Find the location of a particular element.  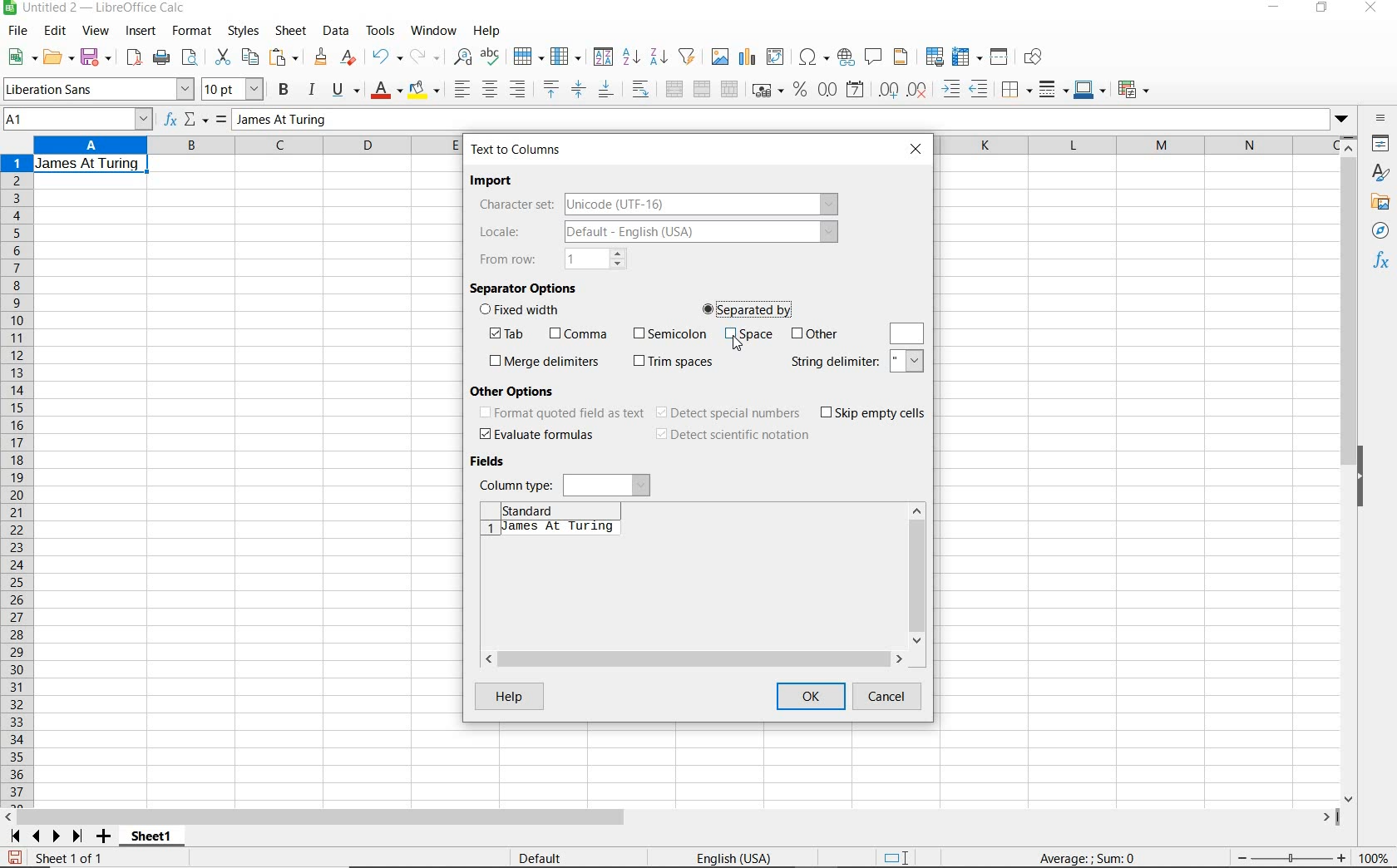

sheet 1 of 1 is located at coordinates (68, 857).